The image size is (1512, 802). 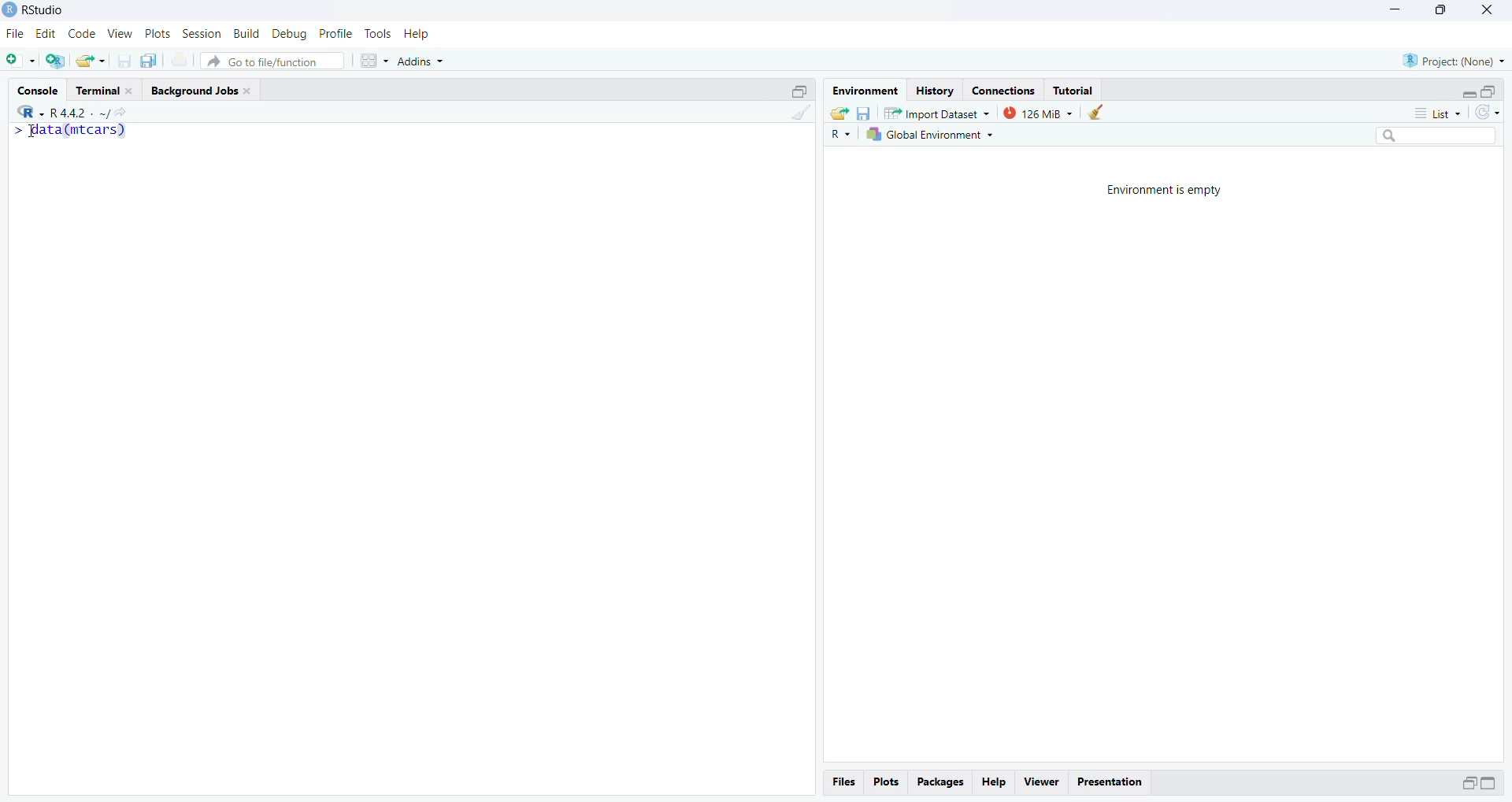 What do you see at coordinates (151, 61) in the screenshot?
I see `save all open document` at bounding box center [151, 61].